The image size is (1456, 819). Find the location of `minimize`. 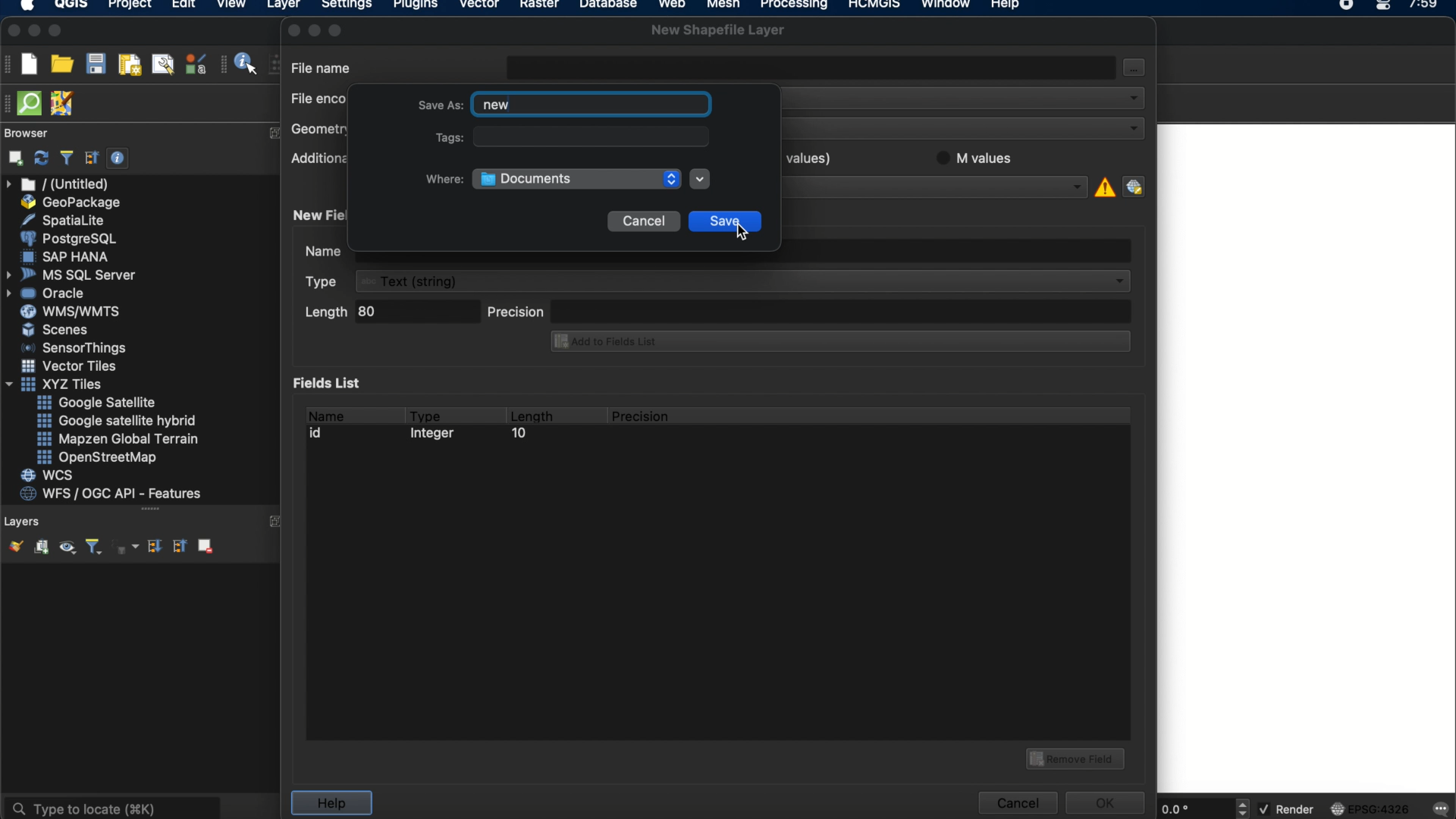

minimize is located at coordinates (34, 31).